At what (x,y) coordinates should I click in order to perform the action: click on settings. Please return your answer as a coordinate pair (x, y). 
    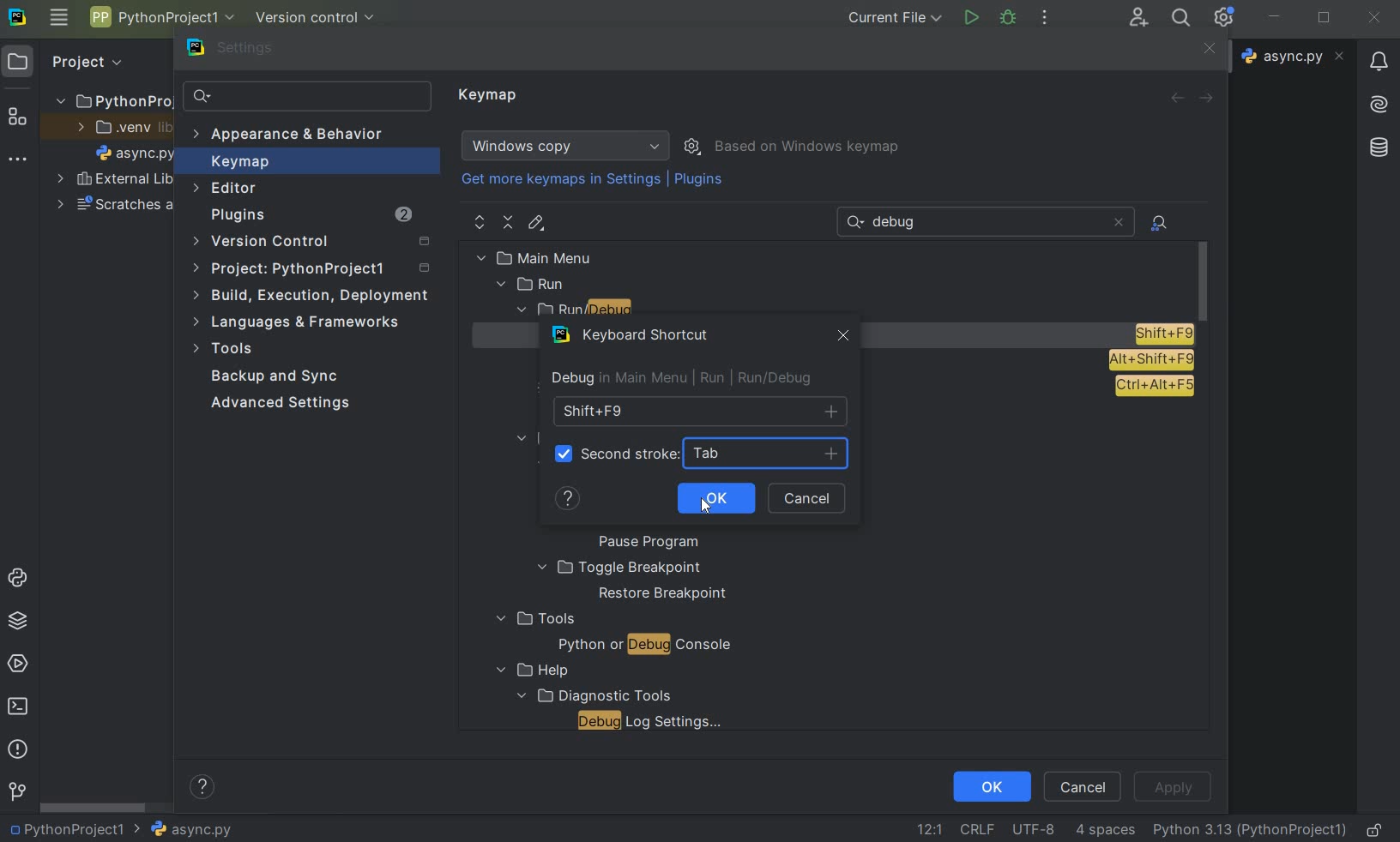
    Looking at the image, I should click on (241, 51).